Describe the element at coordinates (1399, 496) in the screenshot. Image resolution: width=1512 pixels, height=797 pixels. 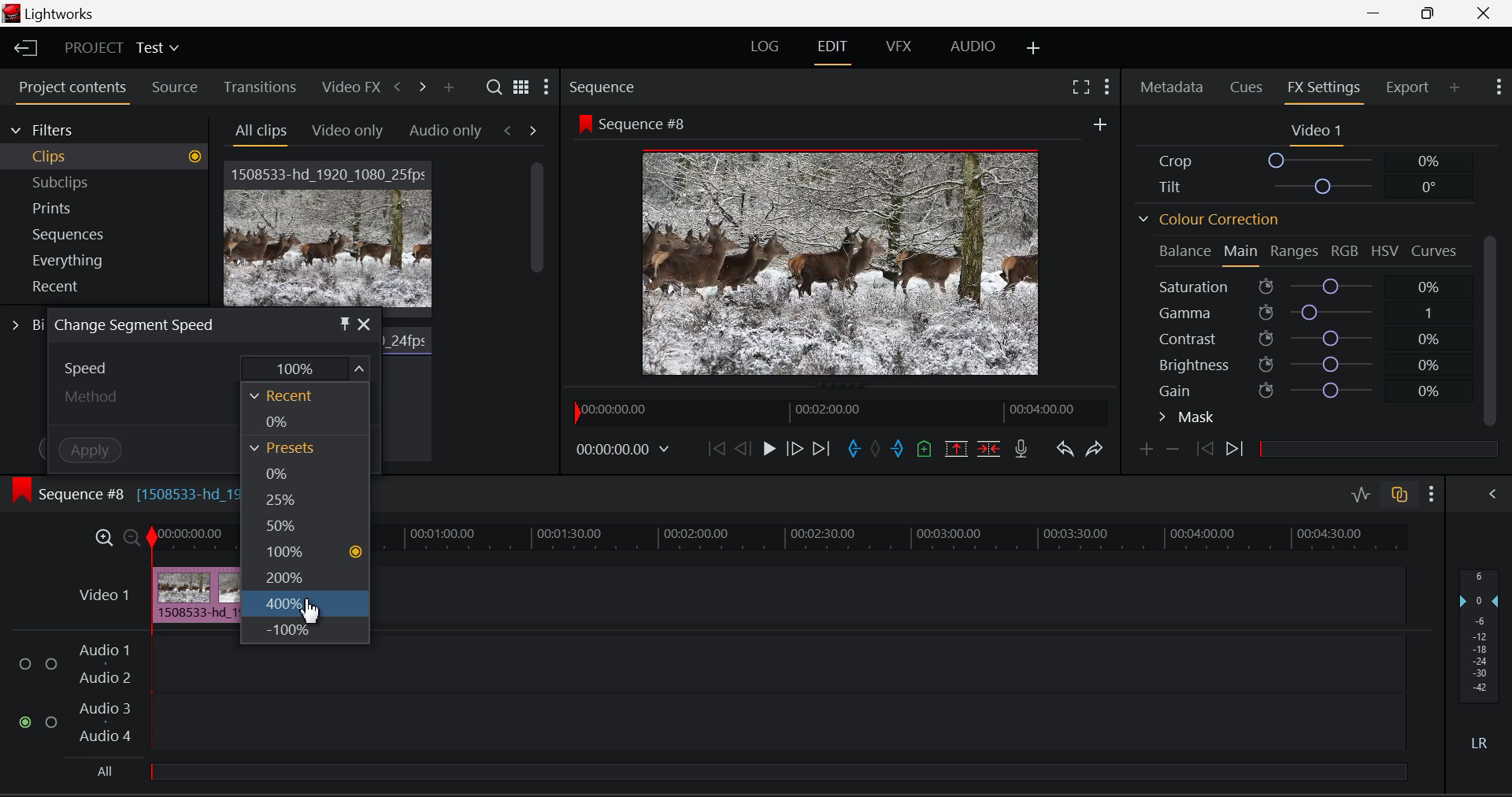
I see `Auto Track Sync` at that location.